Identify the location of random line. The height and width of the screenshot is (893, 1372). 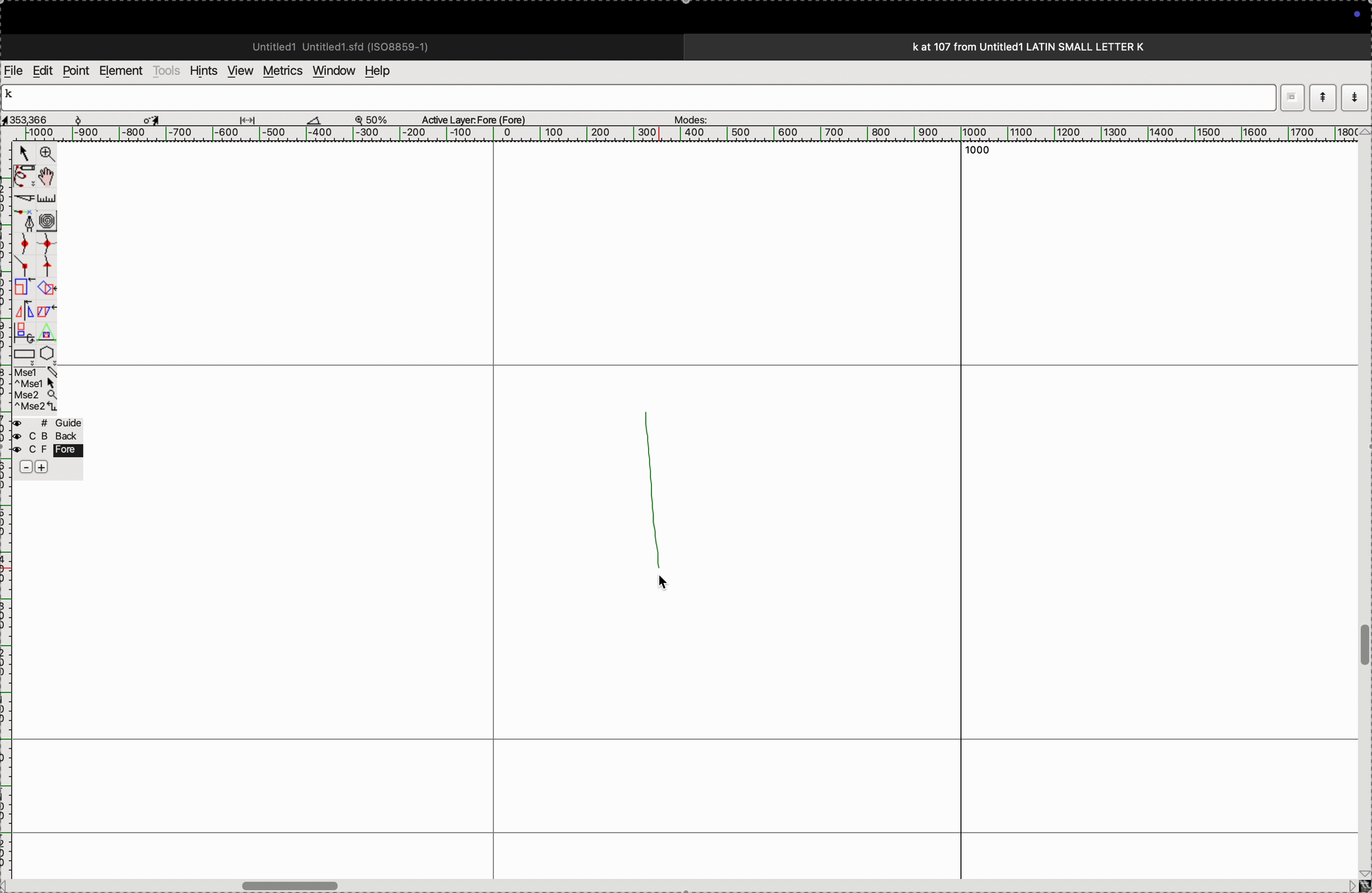
(654, 484).